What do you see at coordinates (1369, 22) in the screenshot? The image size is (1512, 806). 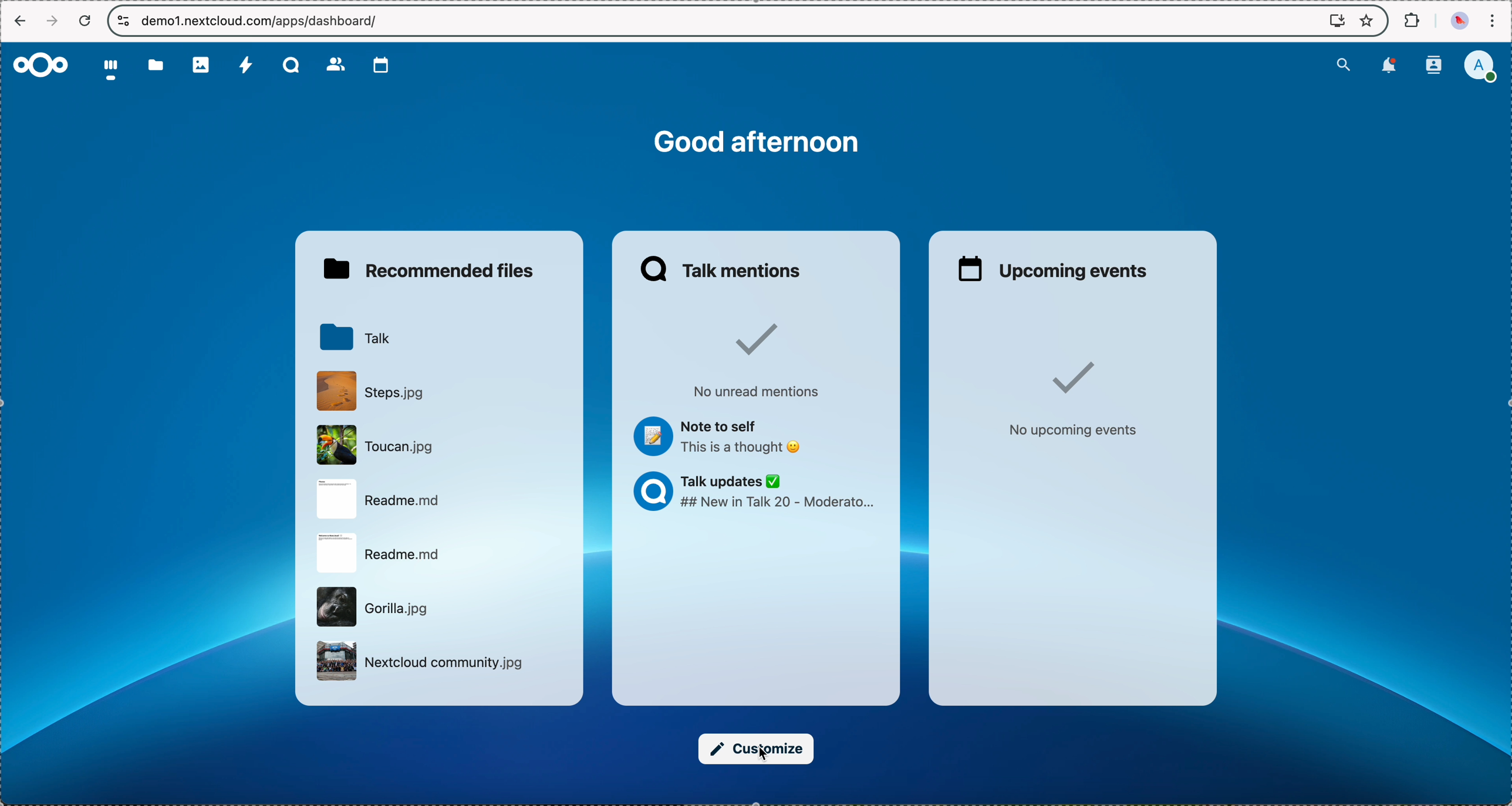 I see `favorites` at bounding box center [1369, 22].